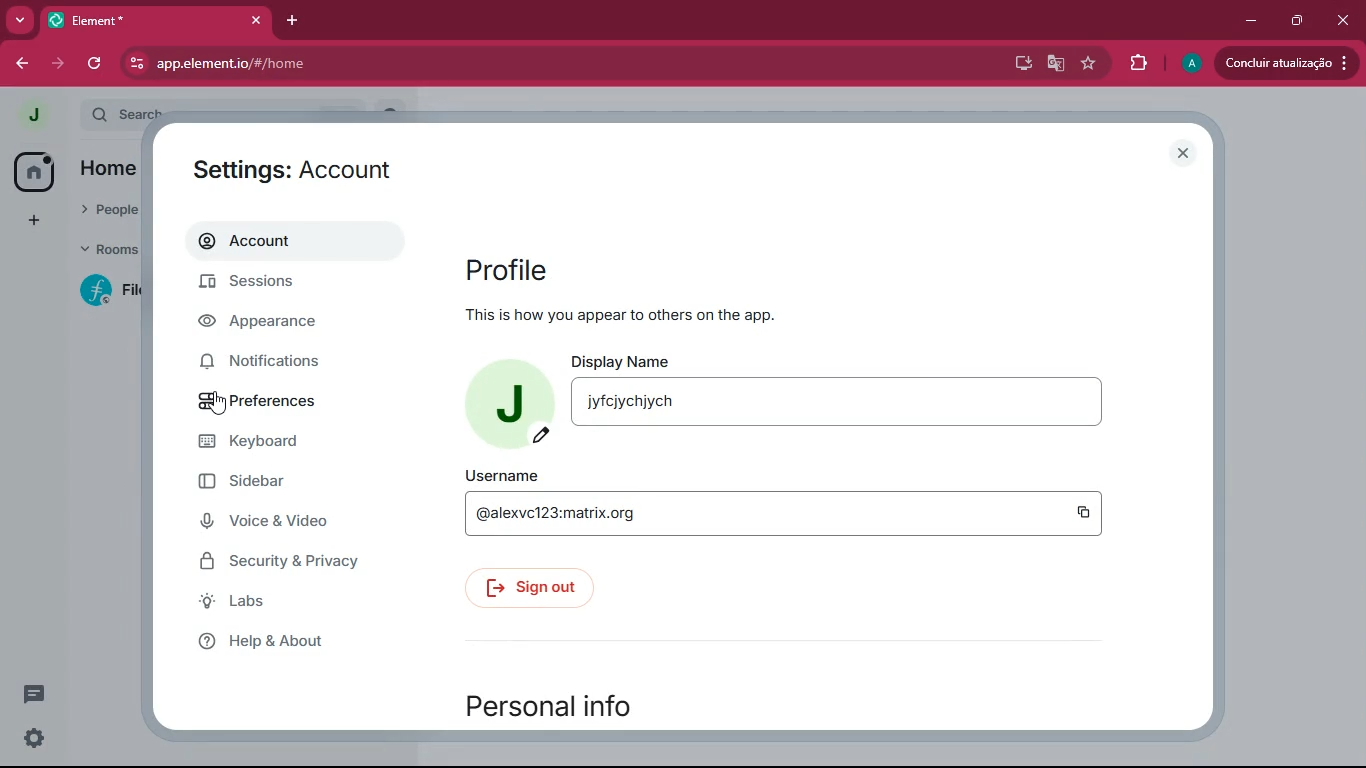 Image resolution: width=1366 pixels, height=768 pixels. What do you see at coordinates (295, 21) in the screenshot?
I see `add tab` at bounding box center [295, 21].